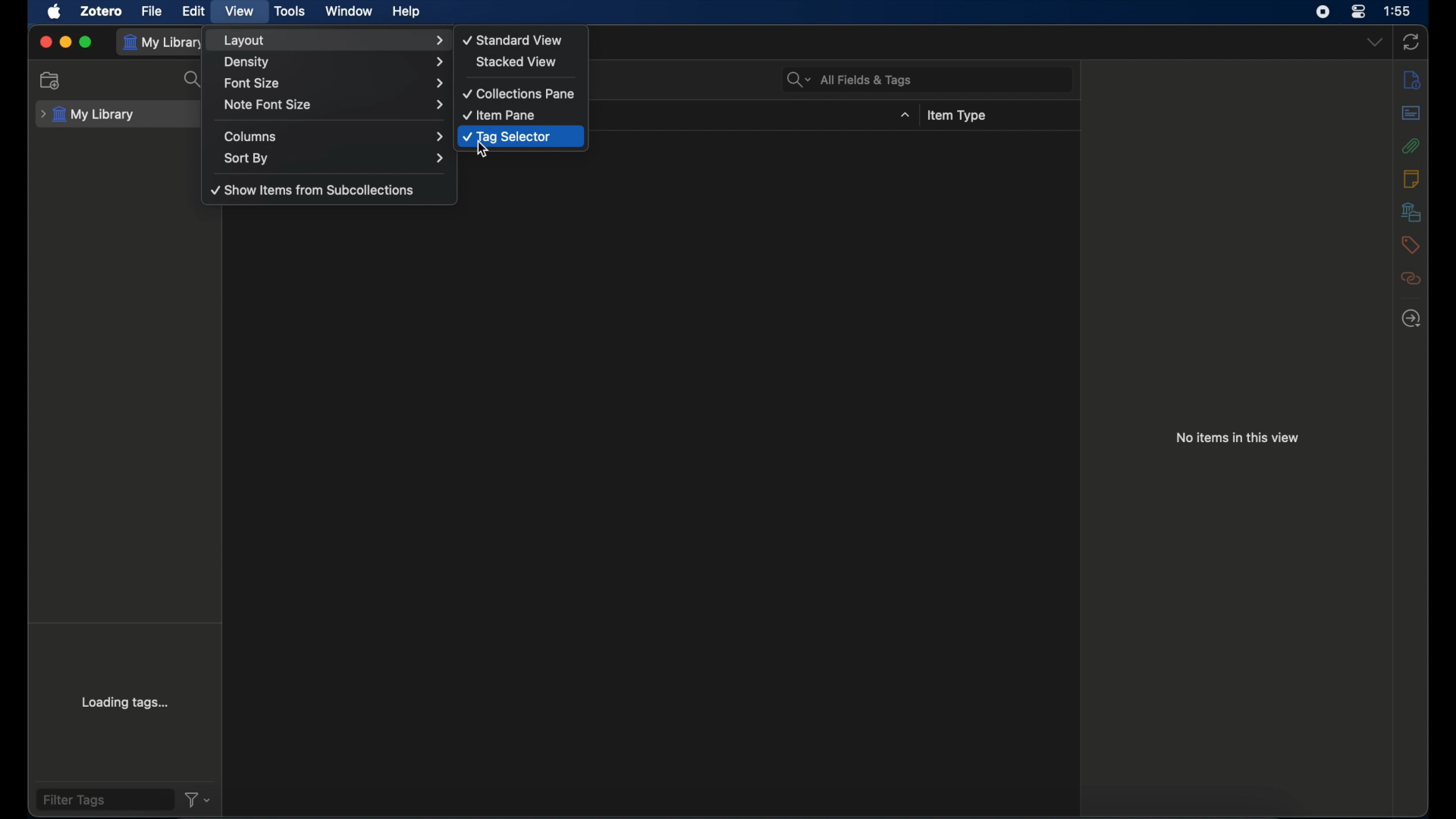  What do you see at coordinates (152, 11) in the screenshot?
I see `file` at bounding box center [152, 11].